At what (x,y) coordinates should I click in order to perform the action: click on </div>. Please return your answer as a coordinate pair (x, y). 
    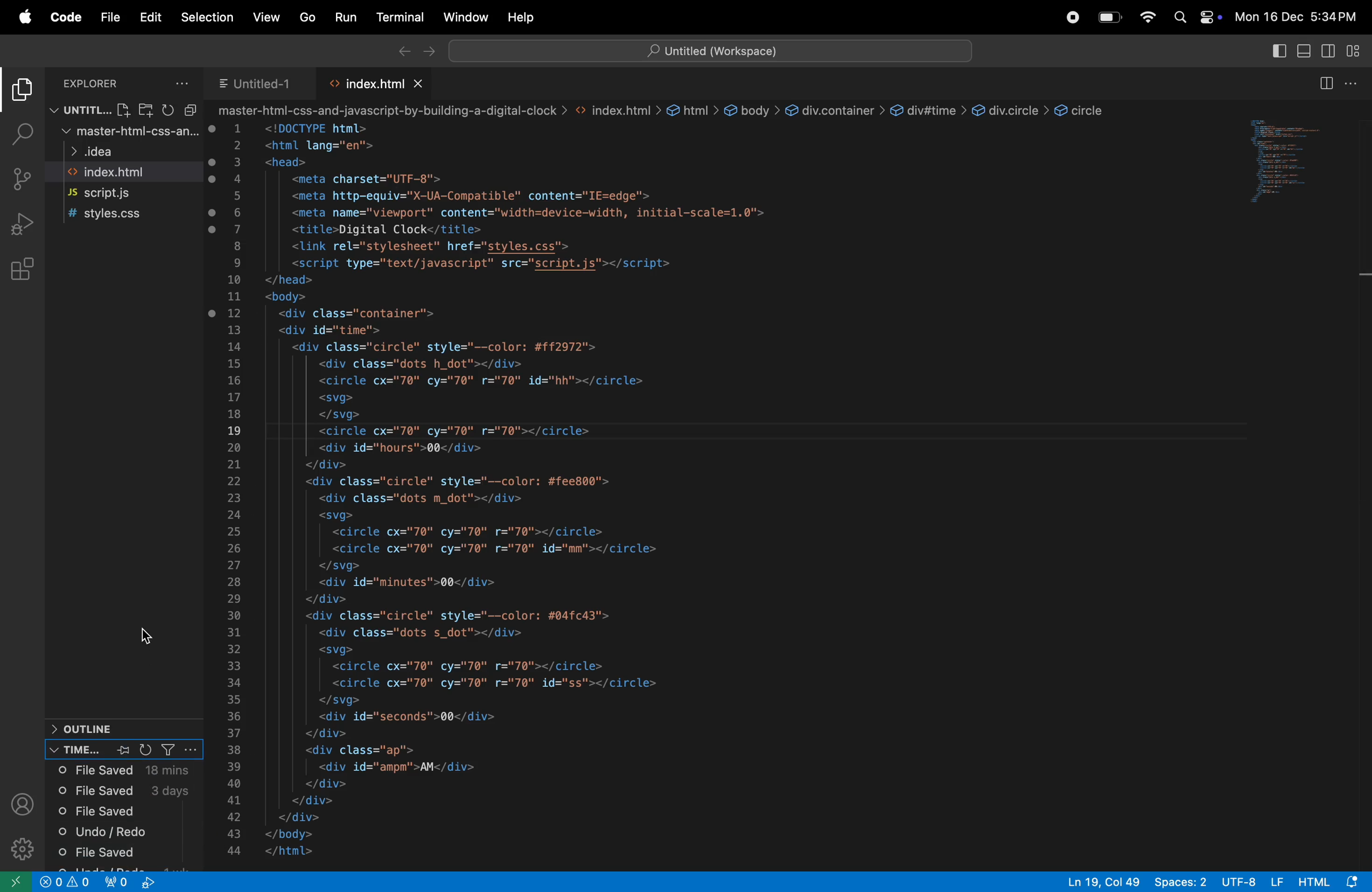
    Looking at the image, I should click on (311, 815).